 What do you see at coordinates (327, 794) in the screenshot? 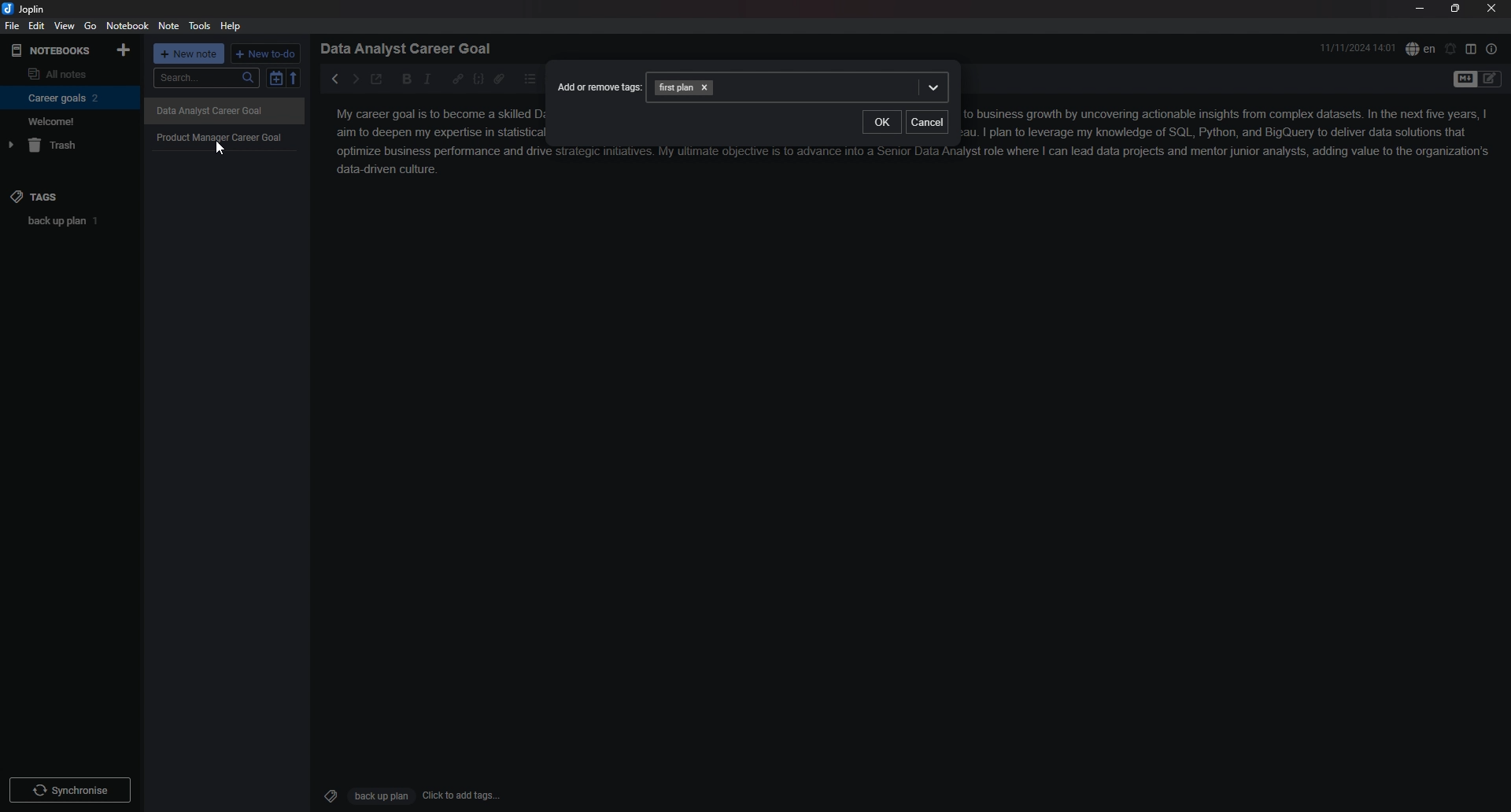
I see `Tags` at bounding box center [327, 794].